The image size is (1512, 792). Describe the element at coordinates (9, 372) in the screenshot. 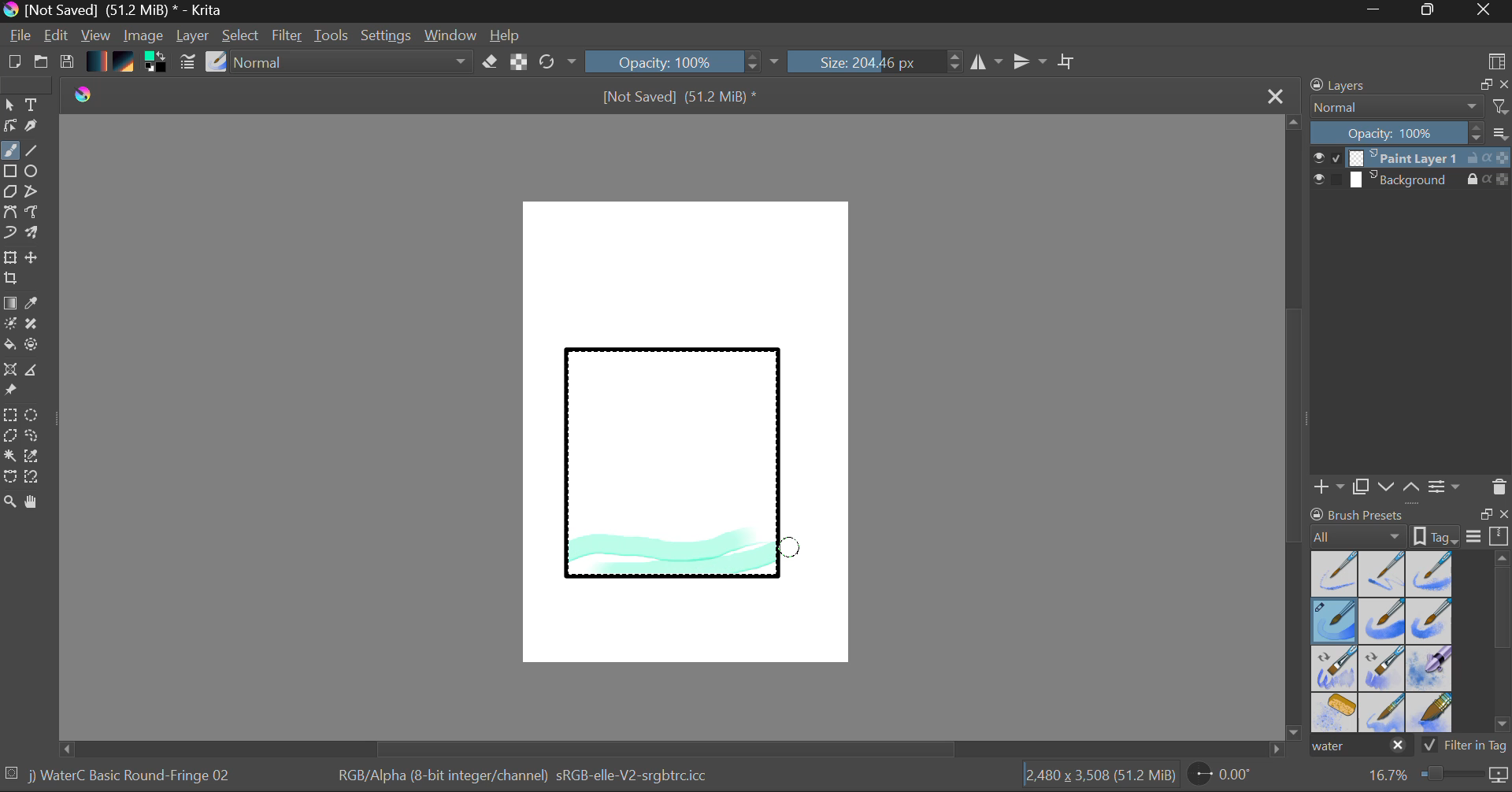

I see `Smart Assistant` at that location.